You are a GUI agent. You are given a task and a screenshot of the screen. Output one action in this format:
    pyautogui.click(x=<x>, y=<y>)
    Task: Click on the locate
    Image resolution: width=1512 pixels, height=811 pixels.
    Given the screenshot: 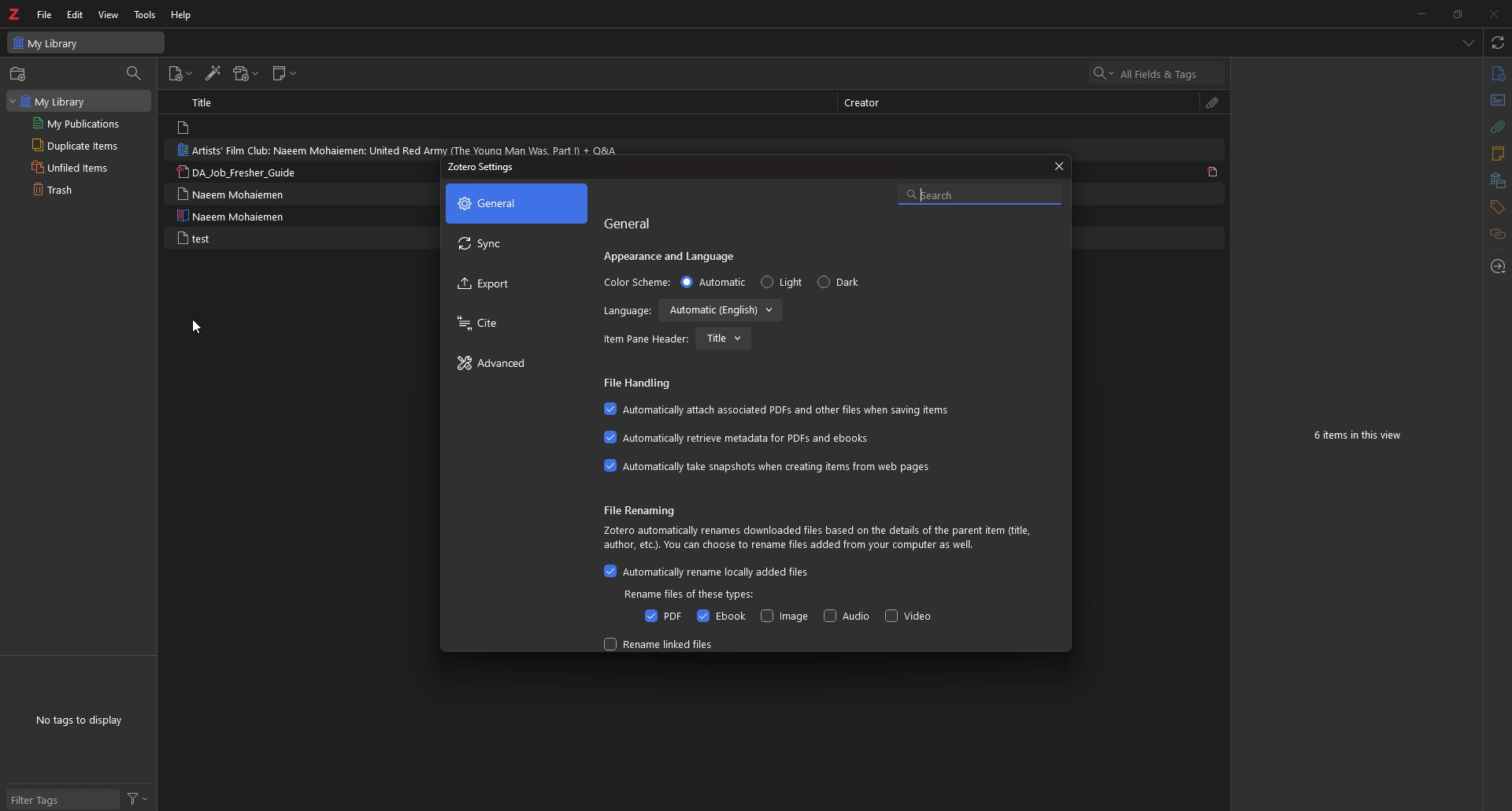 What is the action you would take?
    pyautogui.click(x=1497, y=268)
    